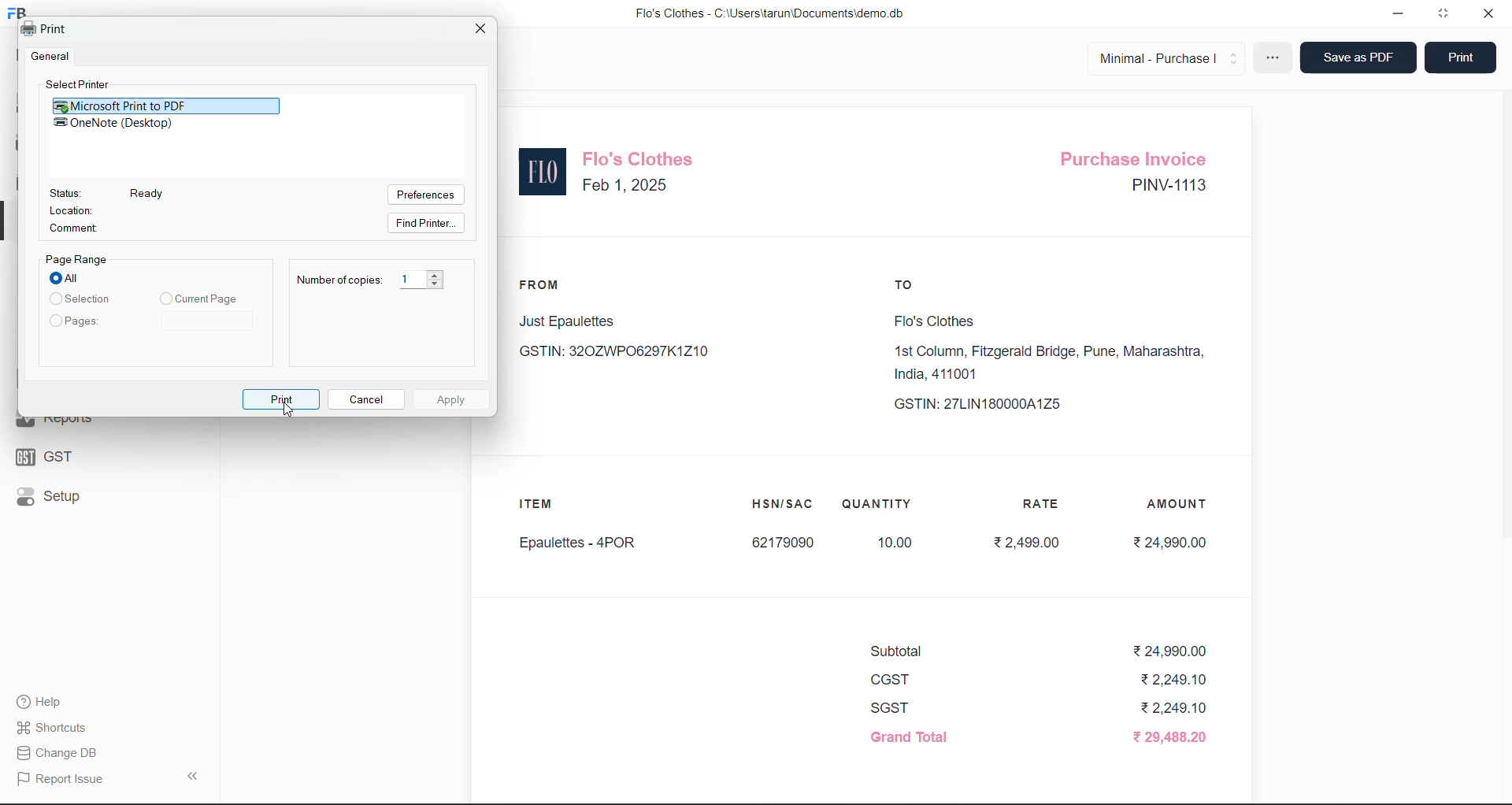  Describe the element at coordinates (136, 106) in the screenshot. I see ` Microsoft Print to PDF` at that location.